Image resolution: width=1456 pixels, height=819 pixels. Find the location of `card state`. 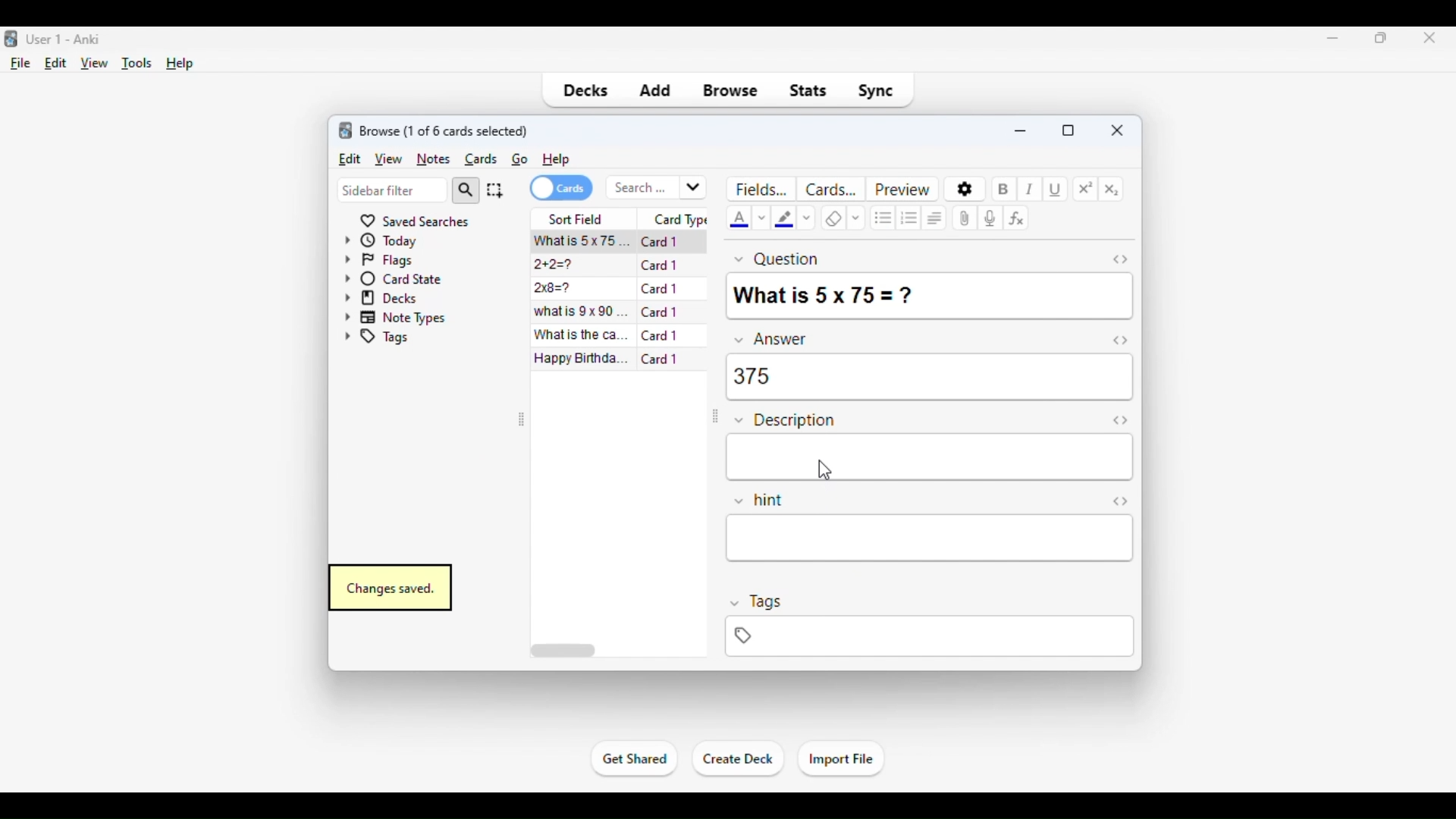

card state is located at coordinates (393, 278).